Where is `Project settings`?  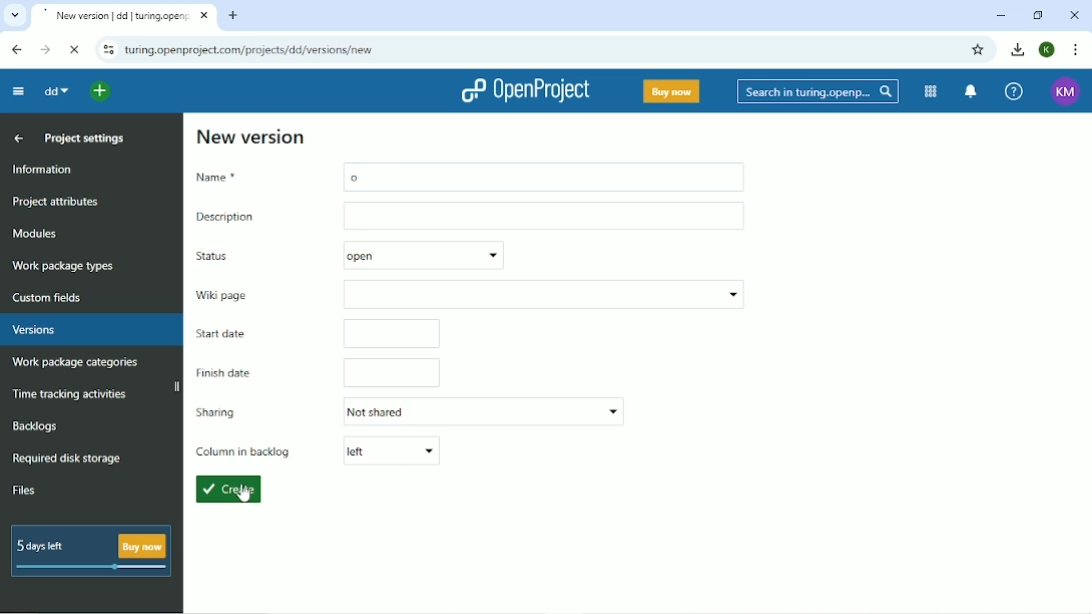
Project settings is located at coordinates (84, 137).